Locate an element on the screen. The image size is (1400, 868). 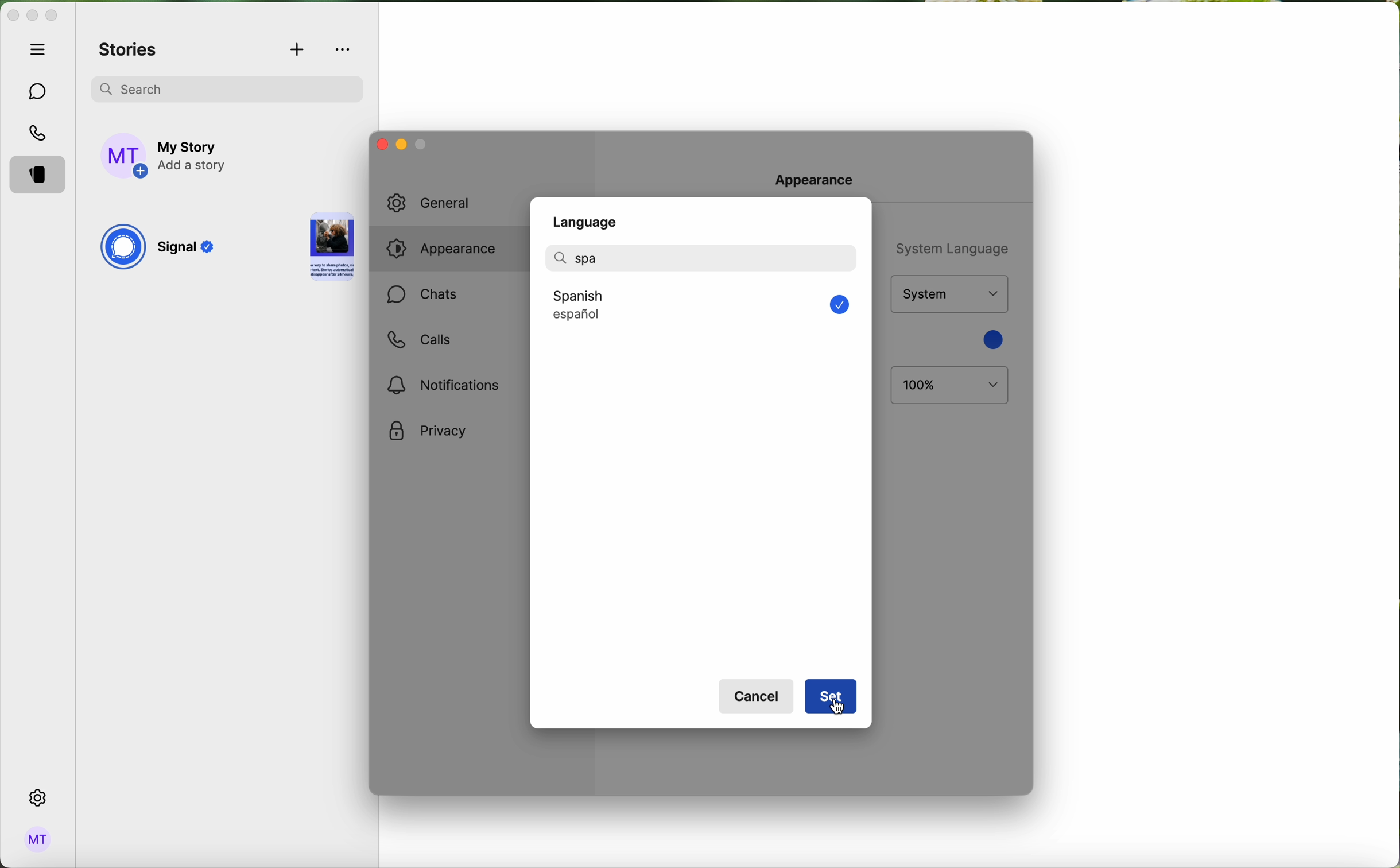
checkbox is located at coordinates (835, 305).